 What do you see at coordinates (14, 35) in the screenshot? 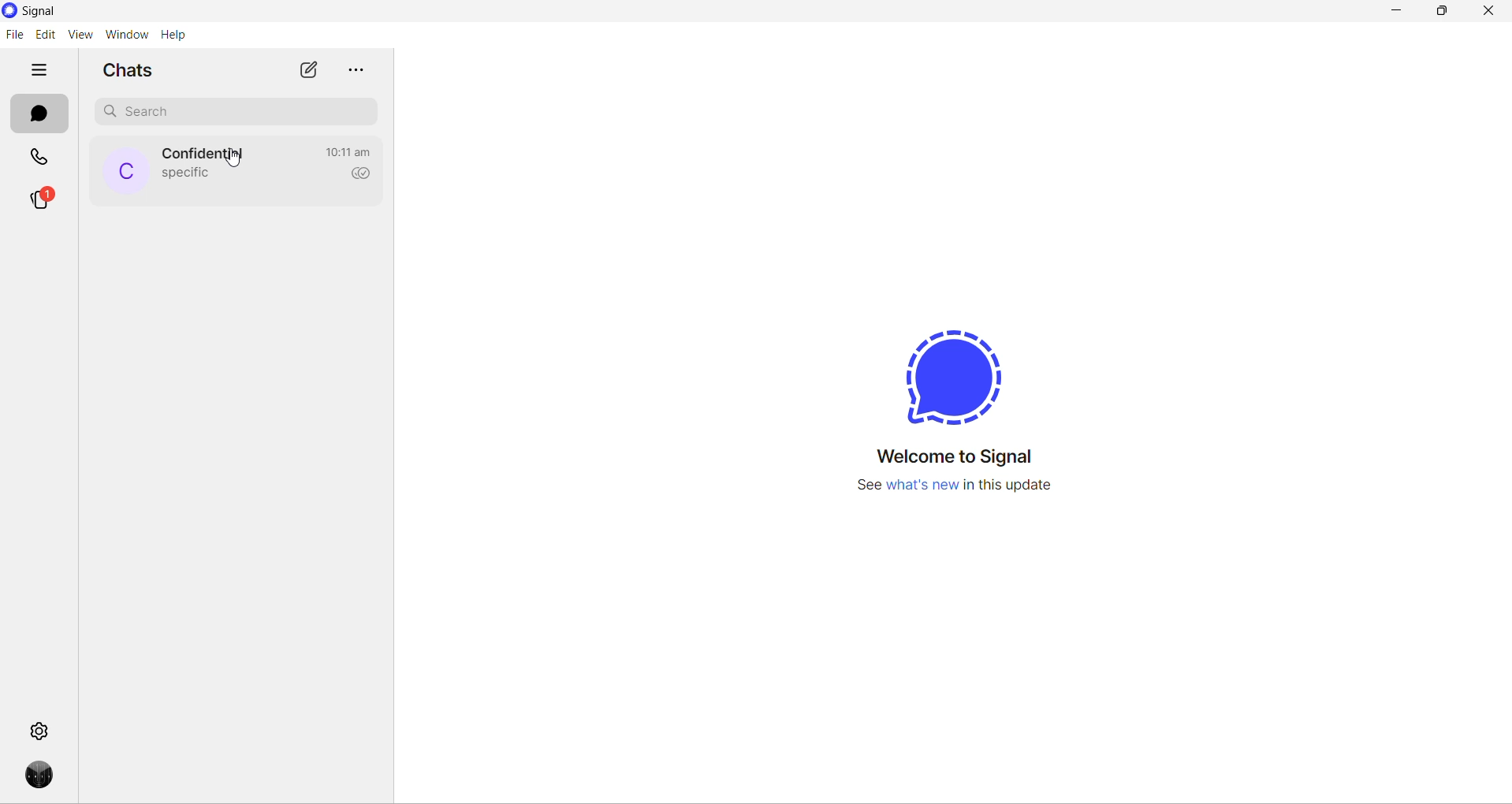
I see `file` at bounding box center [14, 35].